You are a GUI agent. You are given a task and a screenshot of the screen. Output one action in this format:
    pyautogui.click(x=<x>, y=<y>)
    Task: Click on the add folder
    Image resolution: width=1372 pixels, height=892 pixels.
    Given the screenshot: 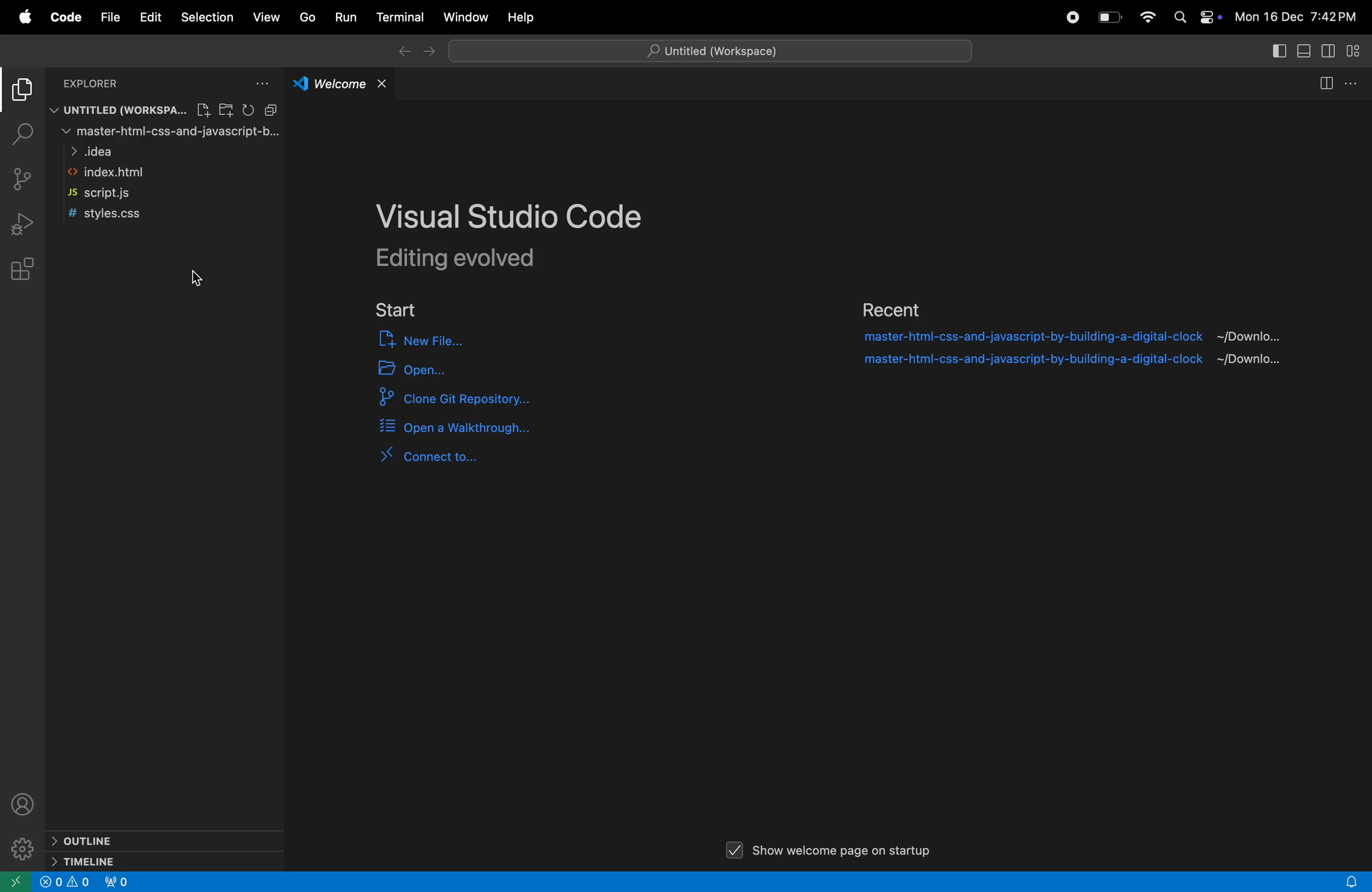 What is the action you would take?
    pyautogui.click(x=226, y=109)
    